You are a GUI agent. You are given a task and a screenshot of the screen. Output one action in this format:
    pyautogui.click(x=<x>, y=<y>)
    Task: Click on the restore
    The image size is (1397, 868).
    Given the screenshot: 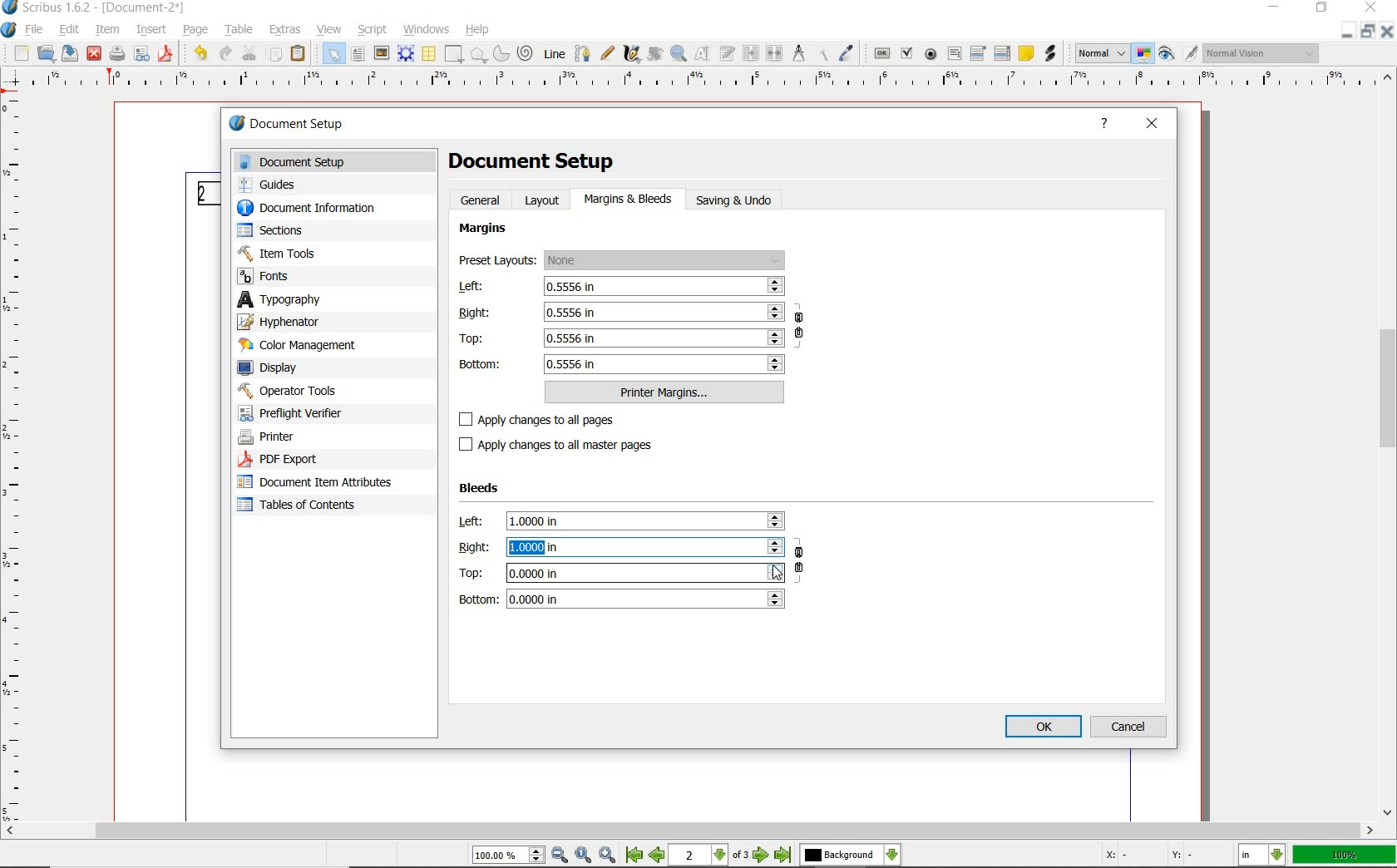 What is the action you would take?
    pyautogui.click(x=1321, y=9)
    